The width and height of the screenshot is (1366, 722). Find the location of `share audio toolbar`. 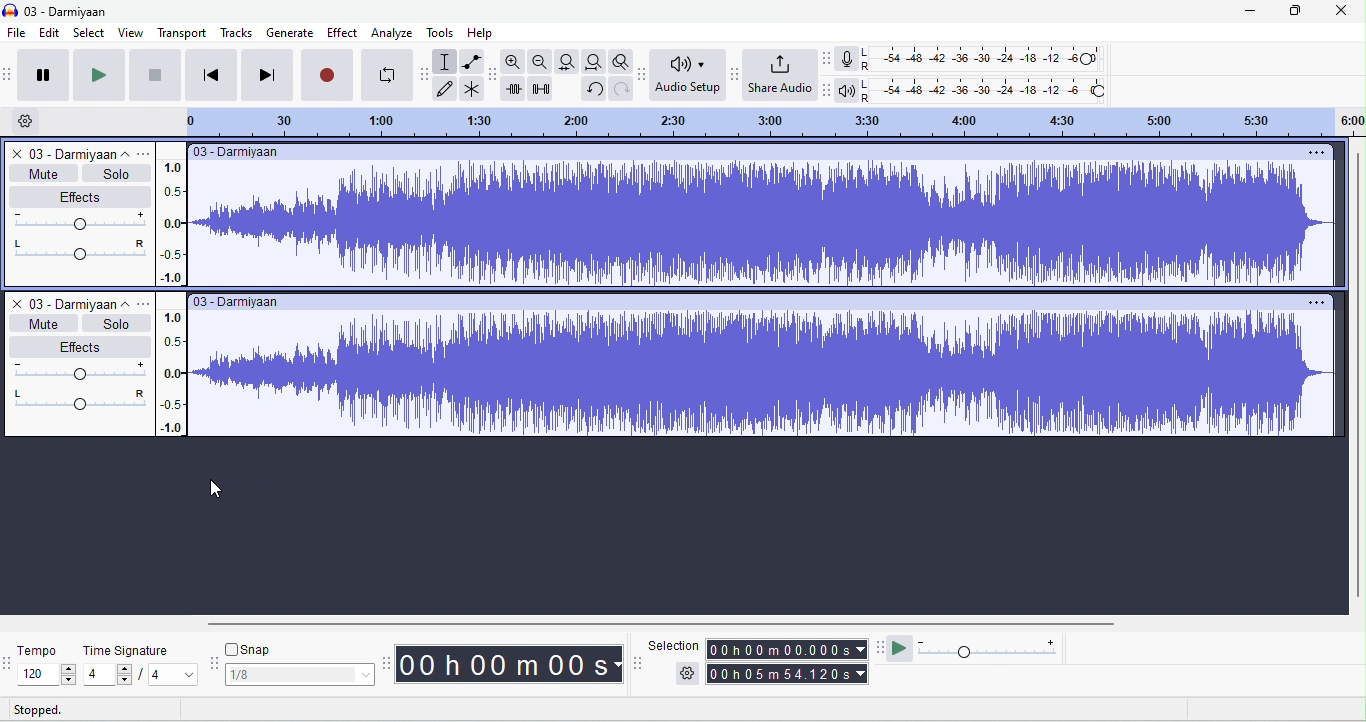

share audio toolbar is located at coordinates (734, 73).